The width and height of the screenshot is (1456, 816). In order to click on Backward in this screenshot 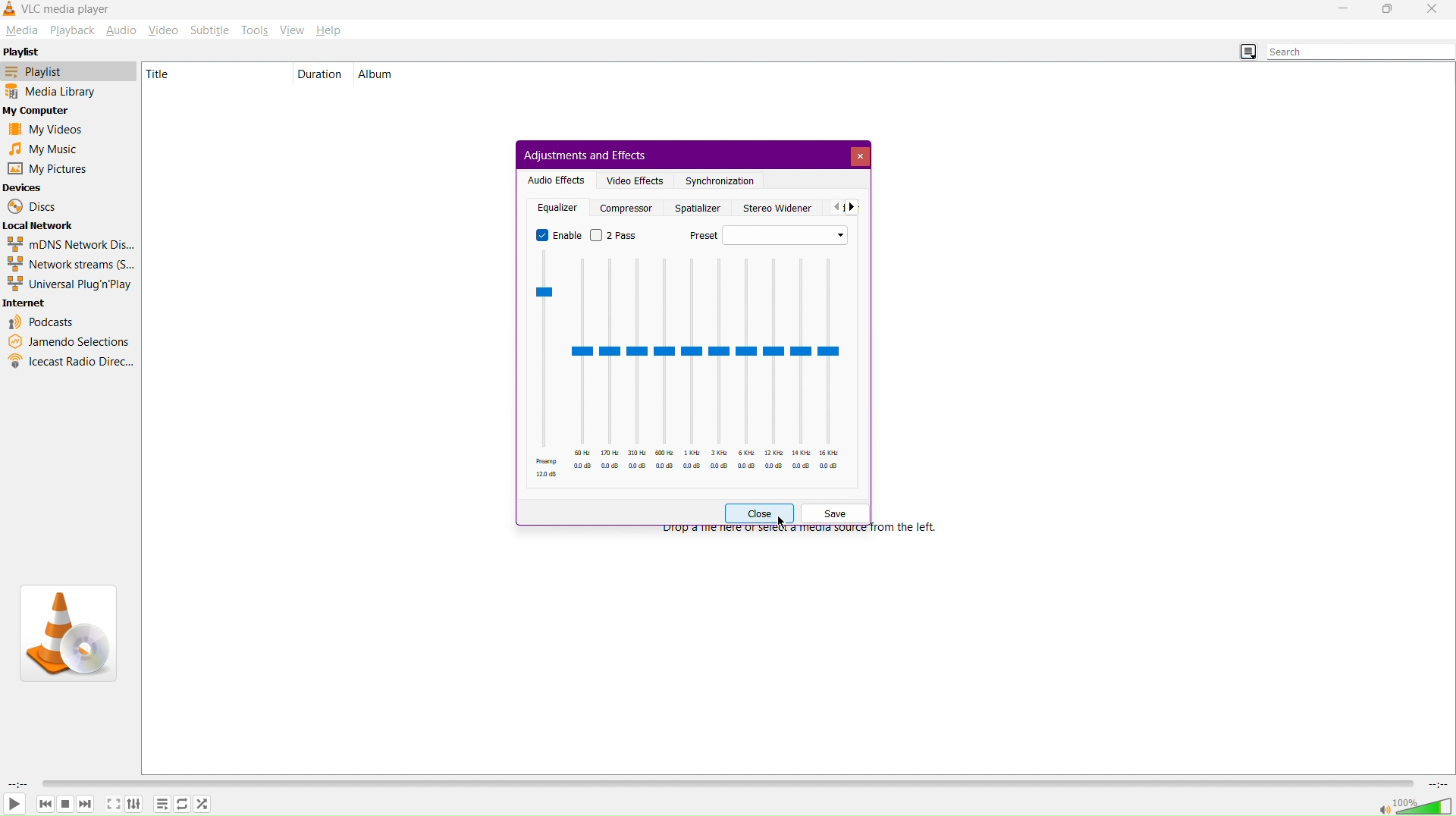, I will do `click(44, 802)`.